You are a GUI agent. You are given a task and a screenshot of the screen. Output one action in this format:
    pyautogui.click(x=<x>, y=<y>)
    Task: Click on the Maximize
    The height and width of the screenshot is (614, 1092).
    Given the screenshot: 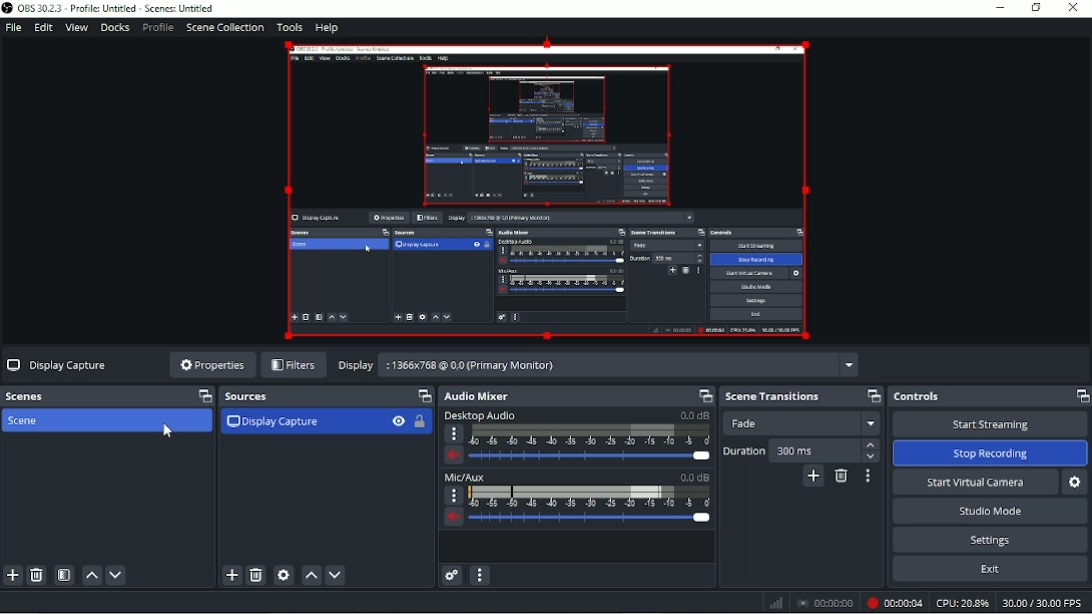 What is the action you would take?
    pyautogui.click(x=702, y=395)
    